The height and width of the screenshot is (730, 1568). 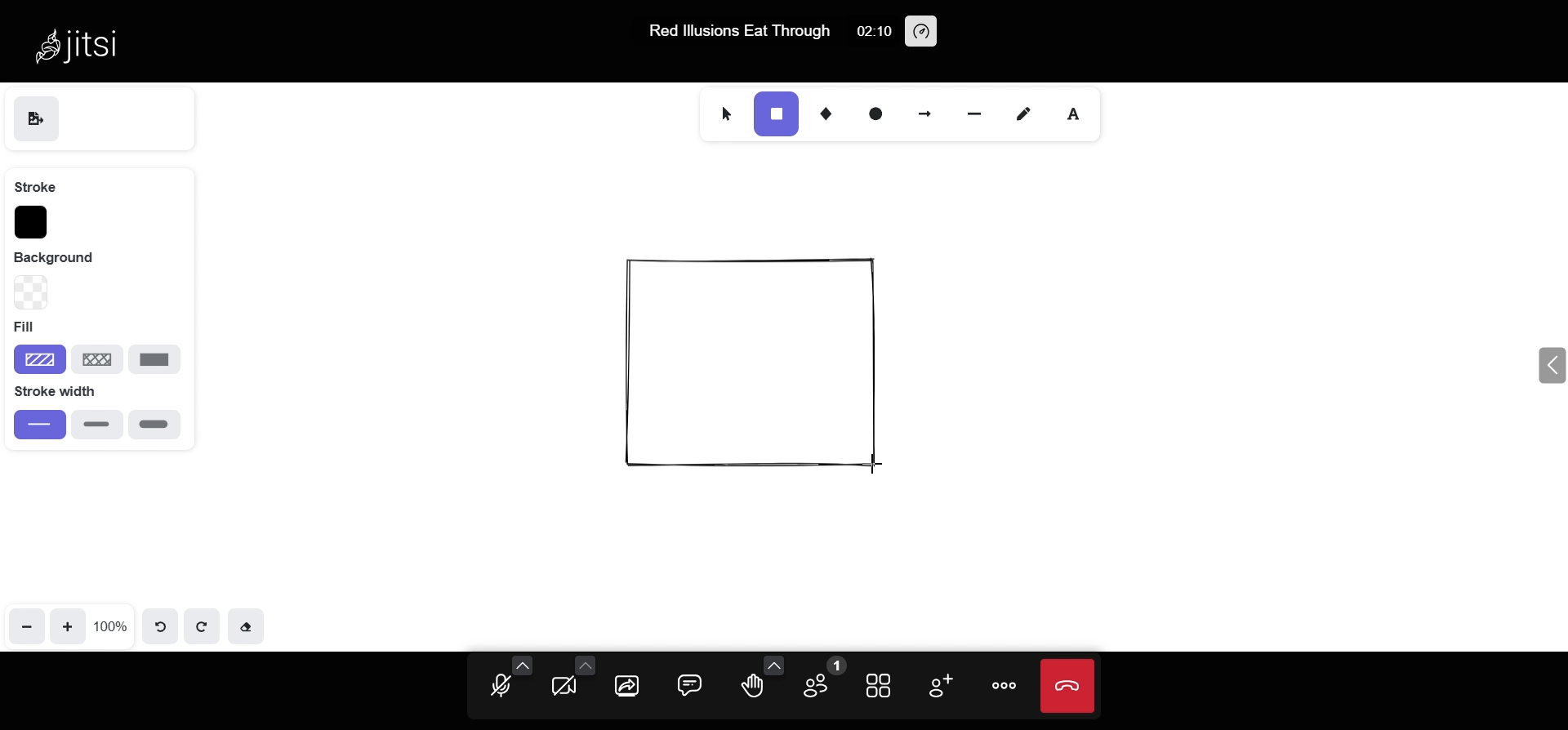 I want to click on select, so click(x=722, y=112).